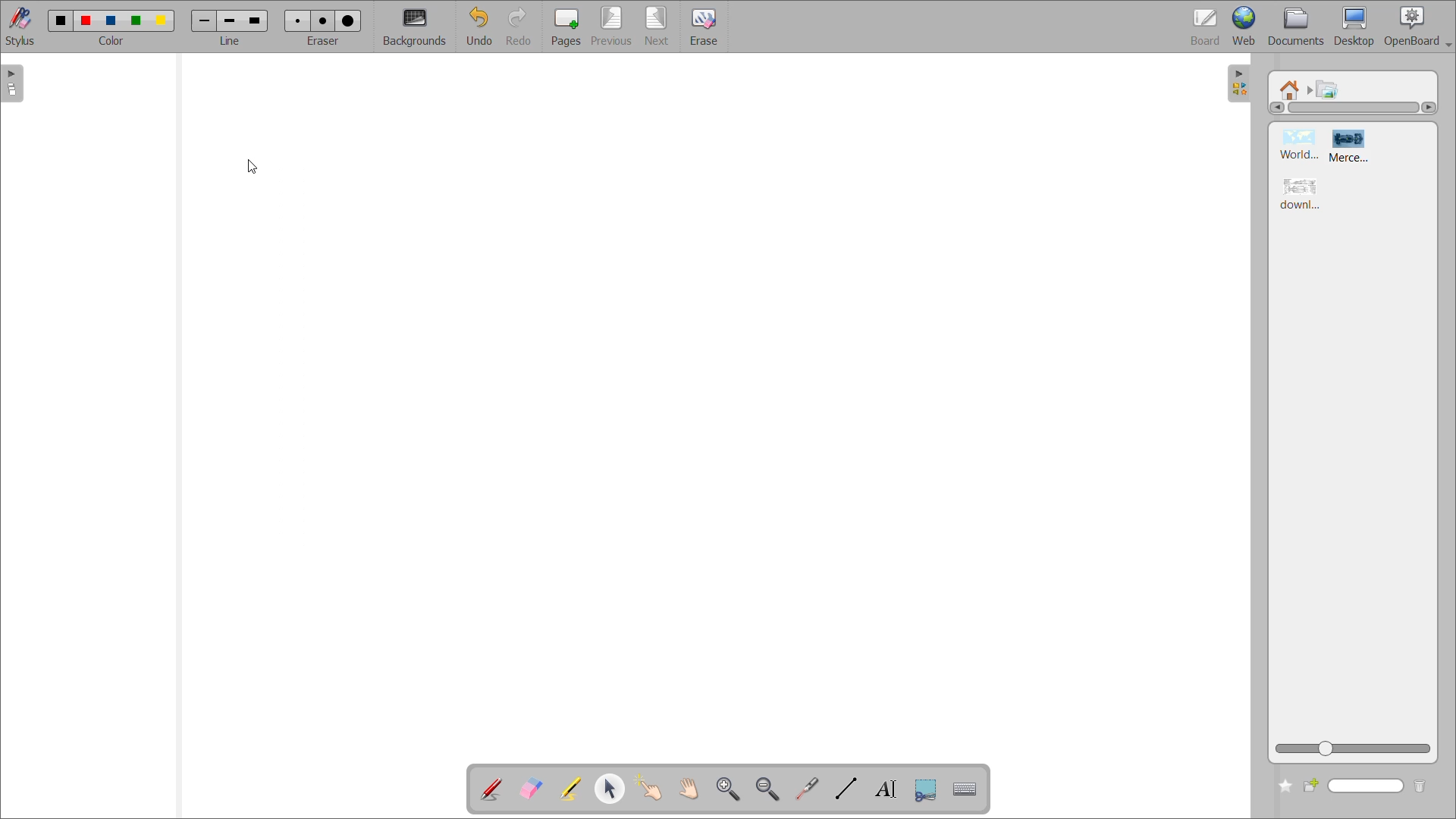 Image resolution: width=1456 pixels, height=819 pixels. What do you see at coordinates (1351, 748) in the screenshot?
I see `zoom slider` at bounding box center [1351, 748].